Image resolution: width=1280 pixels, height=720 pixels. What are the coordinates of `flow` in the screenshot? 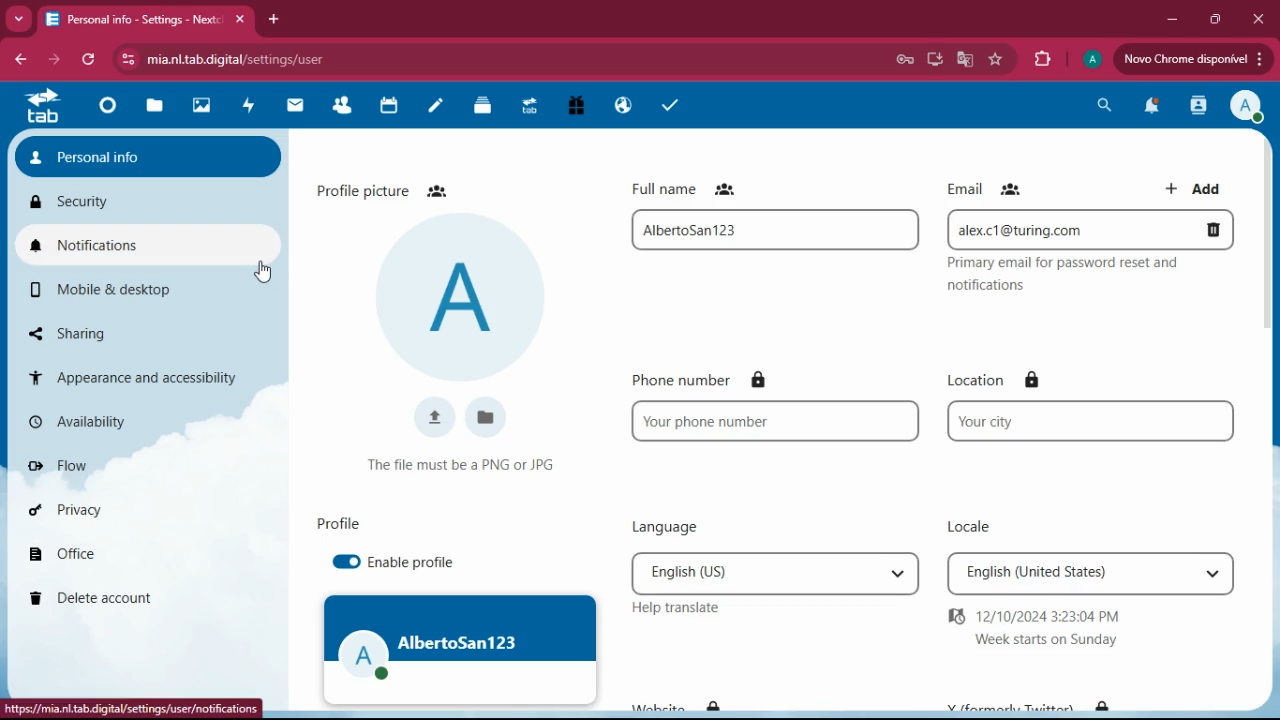 It's located at (125, 466).